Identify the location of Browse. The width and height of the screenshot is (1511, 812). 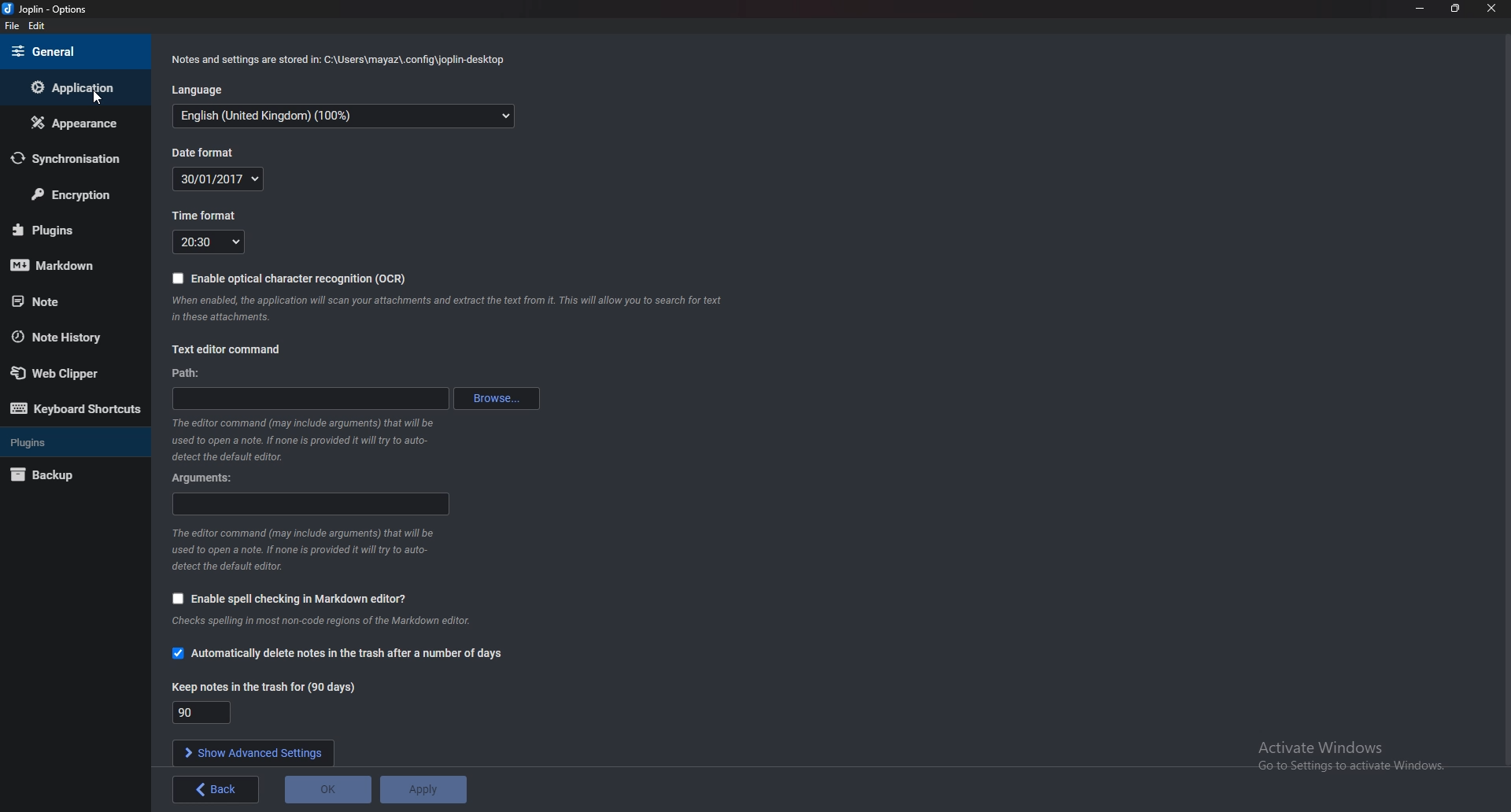
(501, 398).